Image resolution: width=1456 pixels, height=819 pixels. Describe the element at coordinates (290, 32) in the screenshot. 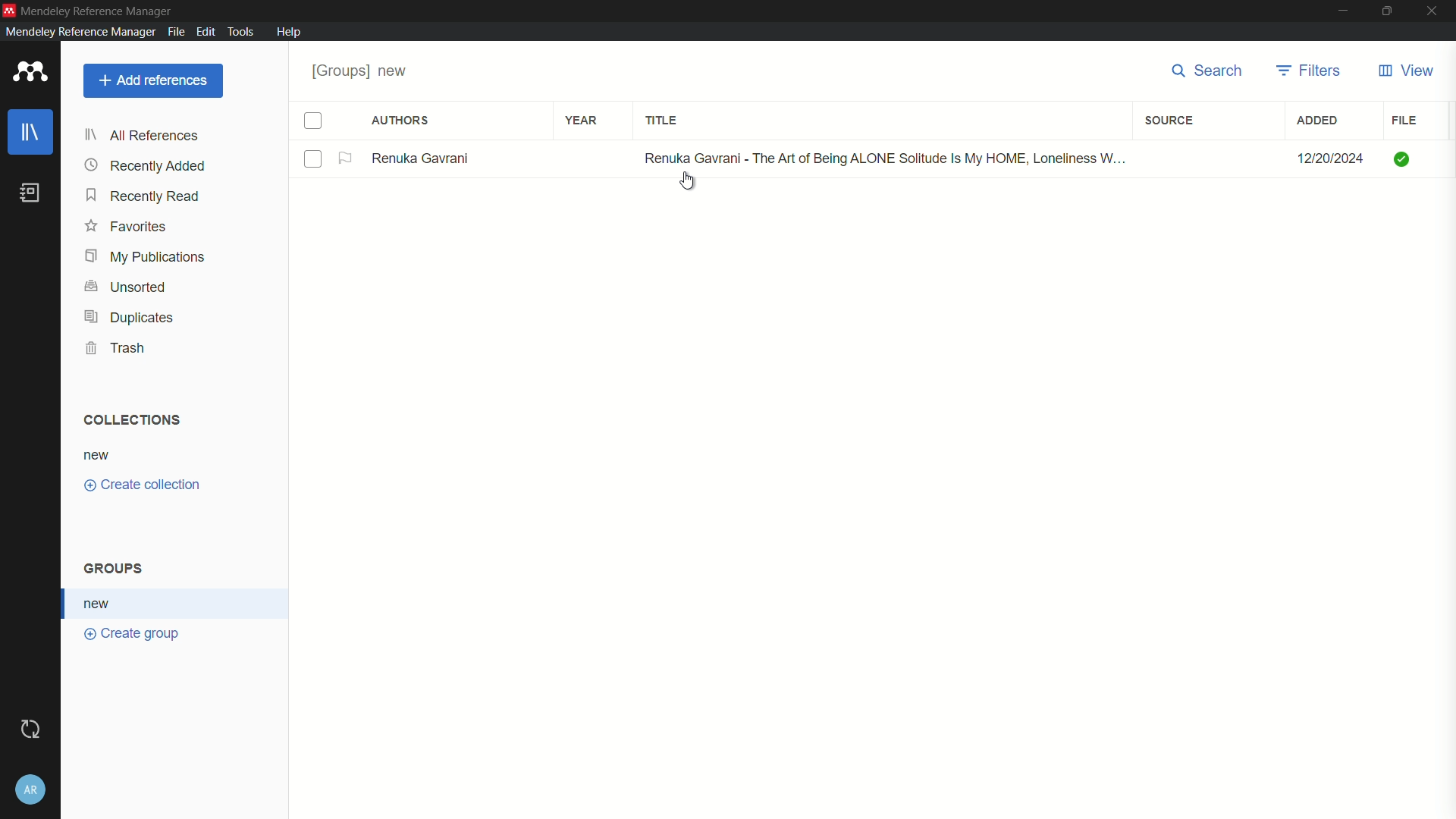

I see `help` at that location.